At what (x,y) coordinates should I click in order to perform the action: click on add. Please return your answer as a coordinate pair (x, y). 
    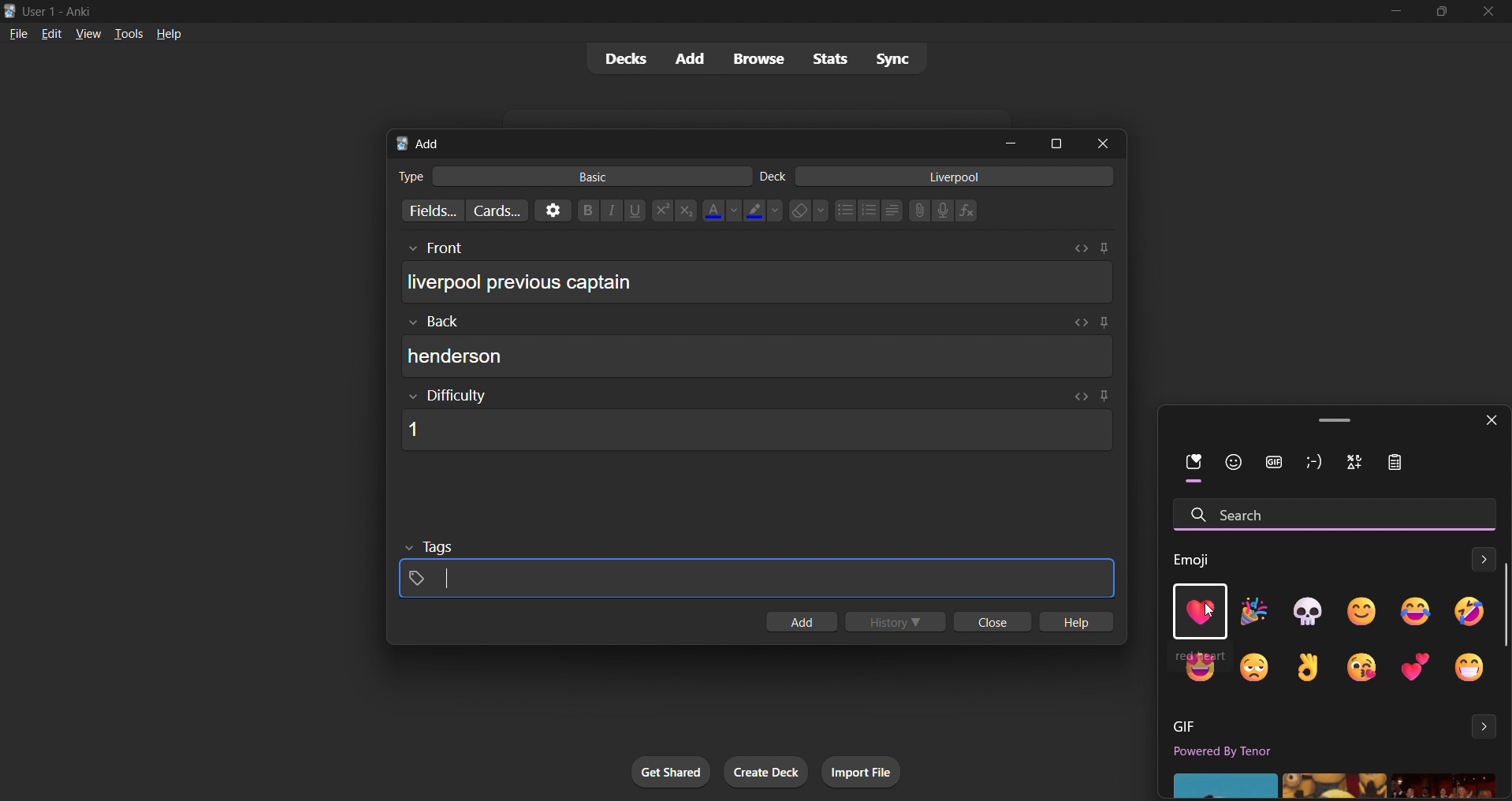
    Looking at the image, I should click on (687, 58).